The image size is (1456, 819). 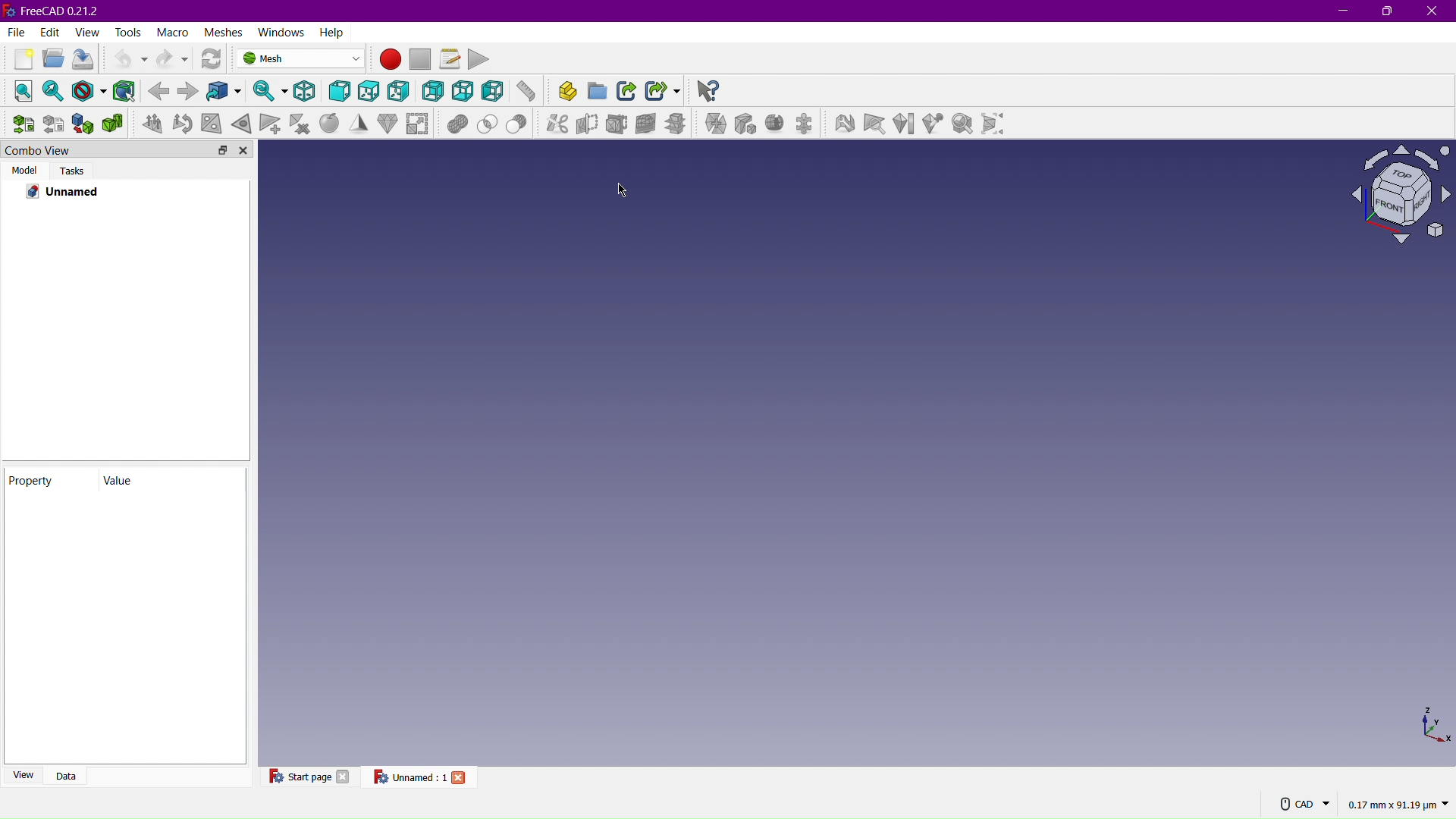 I want to click on Face info, so click(x=877, y=126).